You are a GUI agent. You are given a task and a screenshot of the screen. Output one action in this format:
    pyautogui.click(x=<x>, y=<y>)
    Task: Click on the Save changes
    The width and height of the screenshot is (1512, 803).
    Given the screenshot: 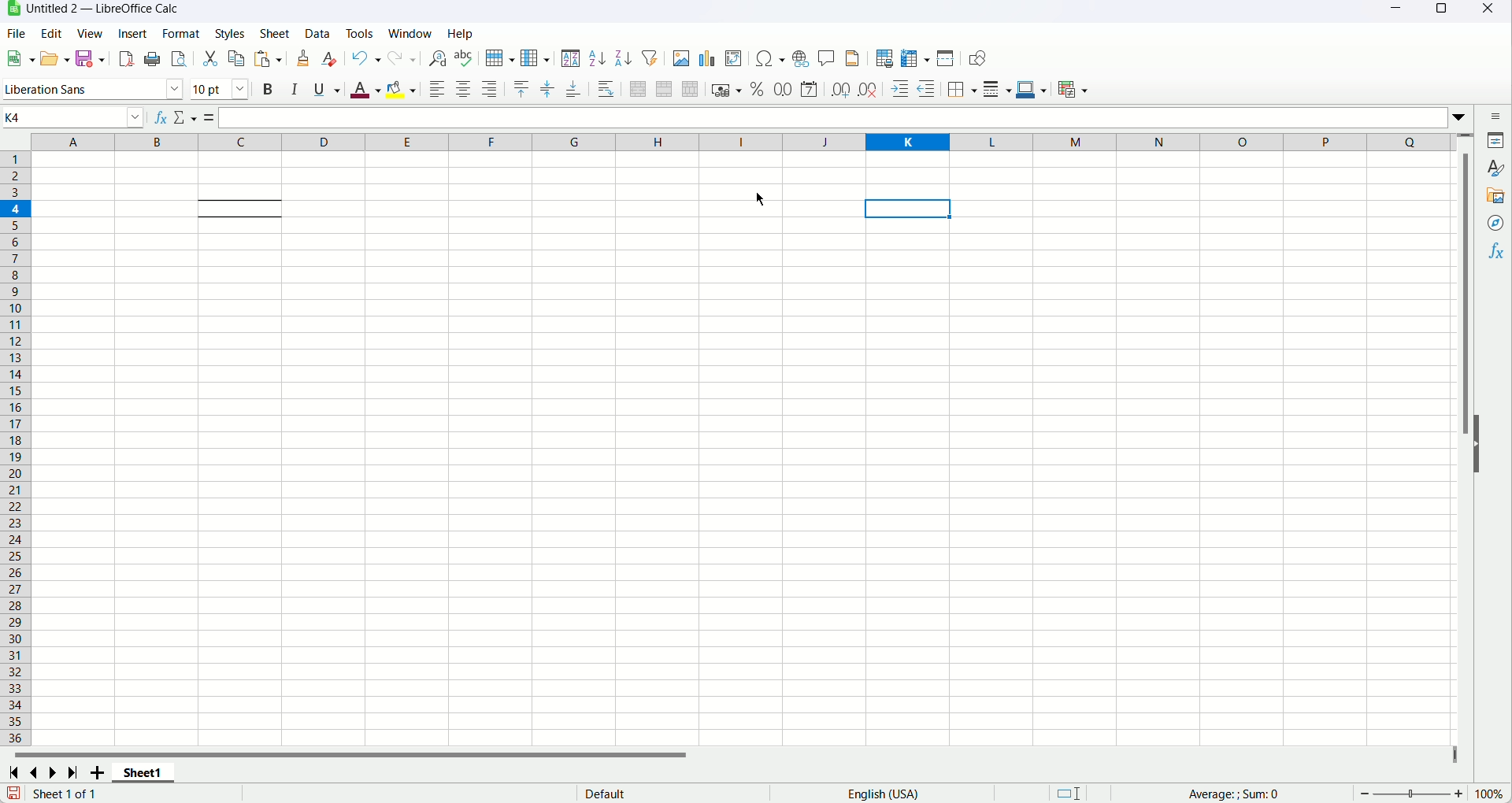 What is the action you would take?
    pyautogui.click(x=11, y=792)
    